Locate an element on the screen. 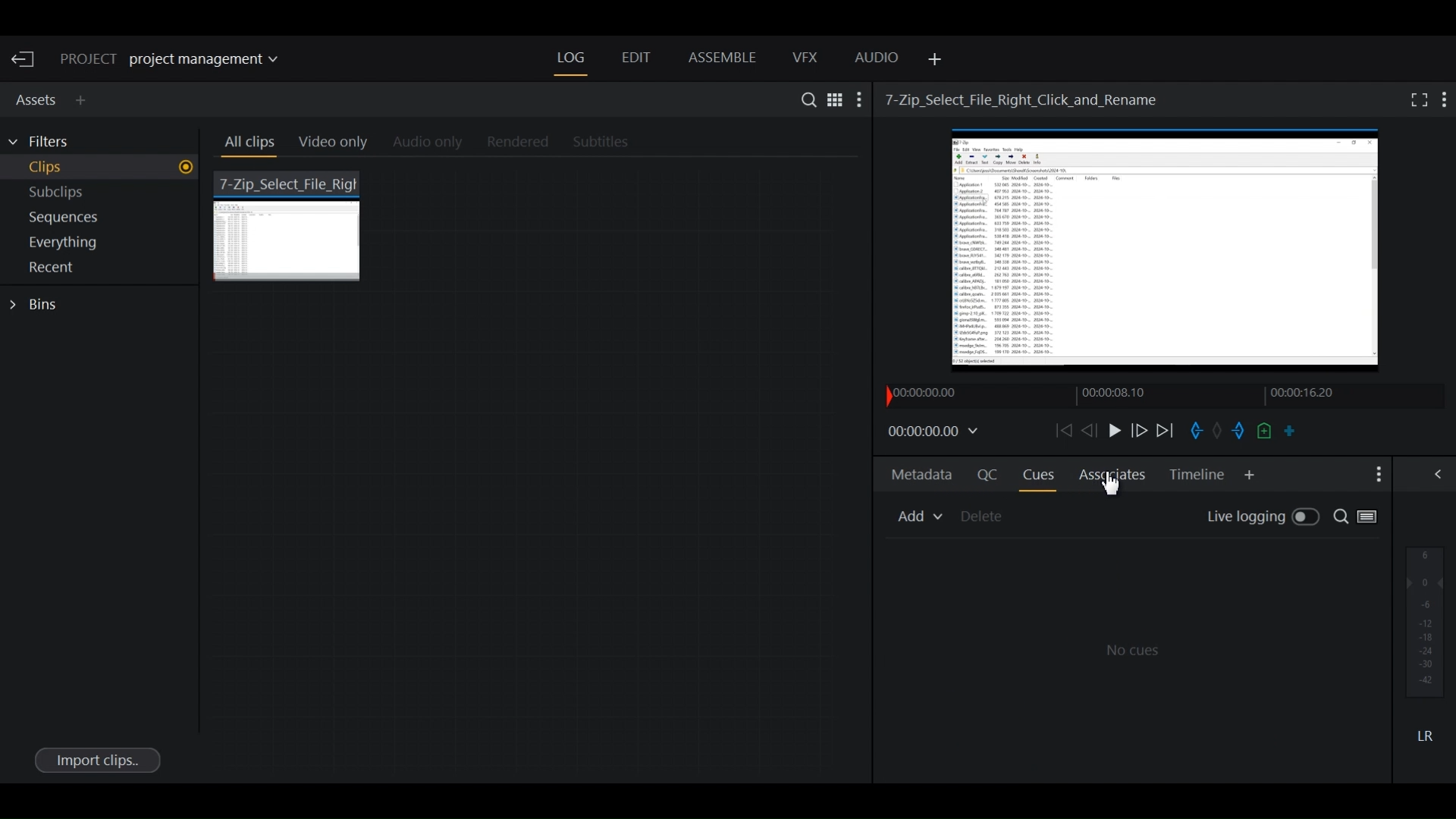 This screenshot has height=819, width=1456. VFX is located at coordinates (806, 58).